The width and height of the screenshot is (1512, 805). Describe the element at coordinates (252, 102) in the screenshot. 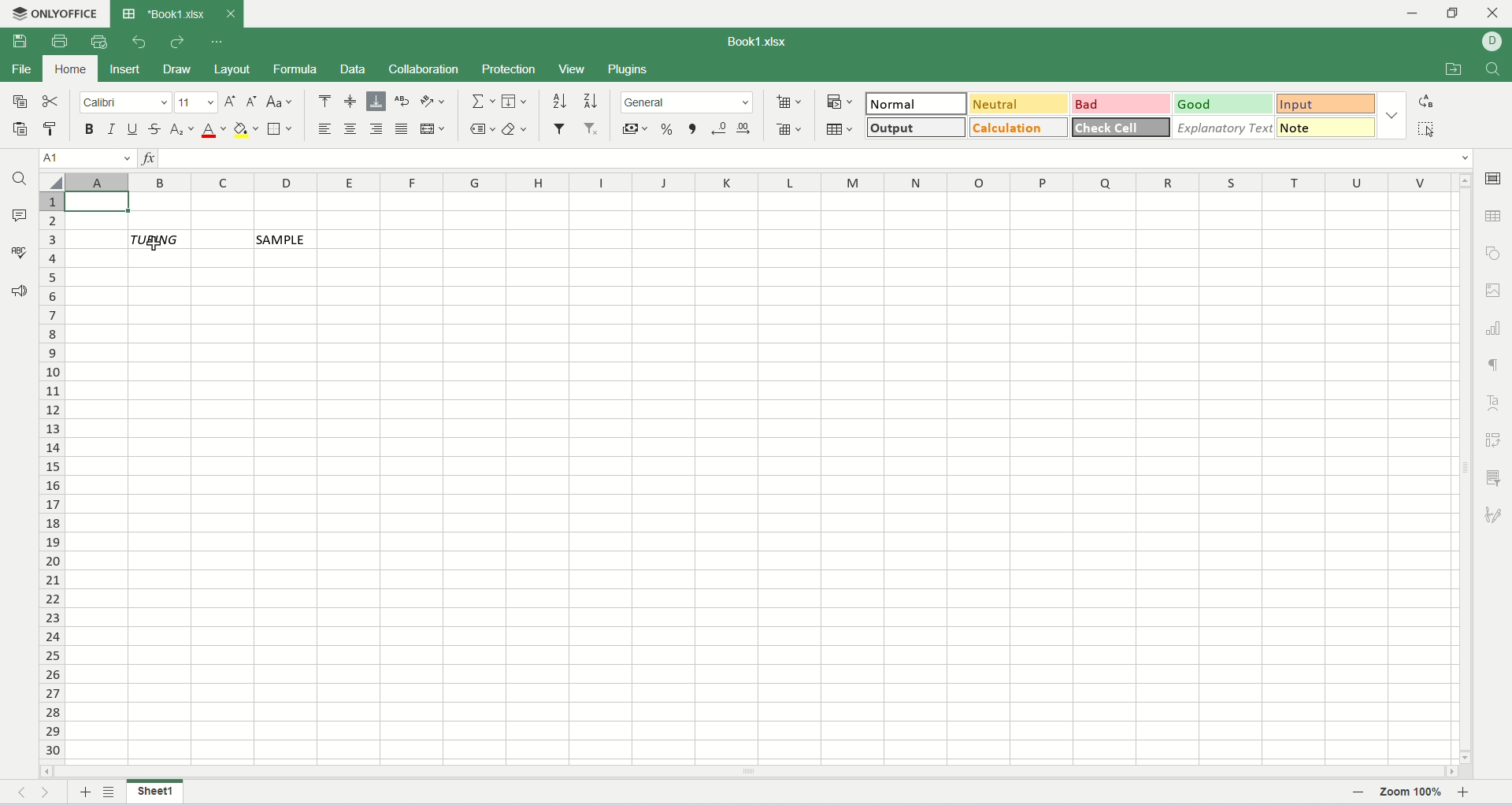

I see `decrease font size` at that location.